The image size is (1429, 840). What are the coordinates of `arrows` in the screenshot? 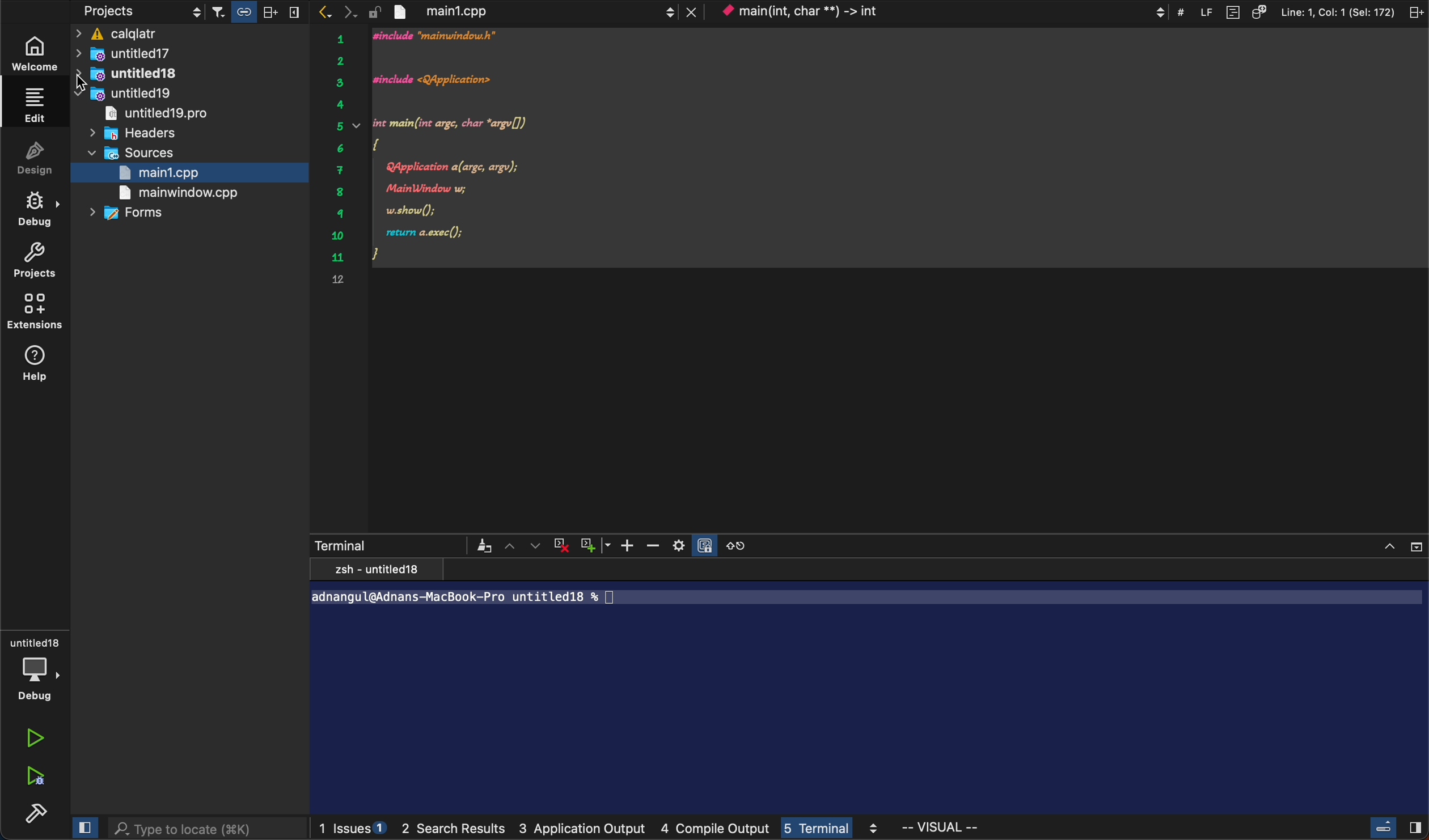 It's located at (335, 11).